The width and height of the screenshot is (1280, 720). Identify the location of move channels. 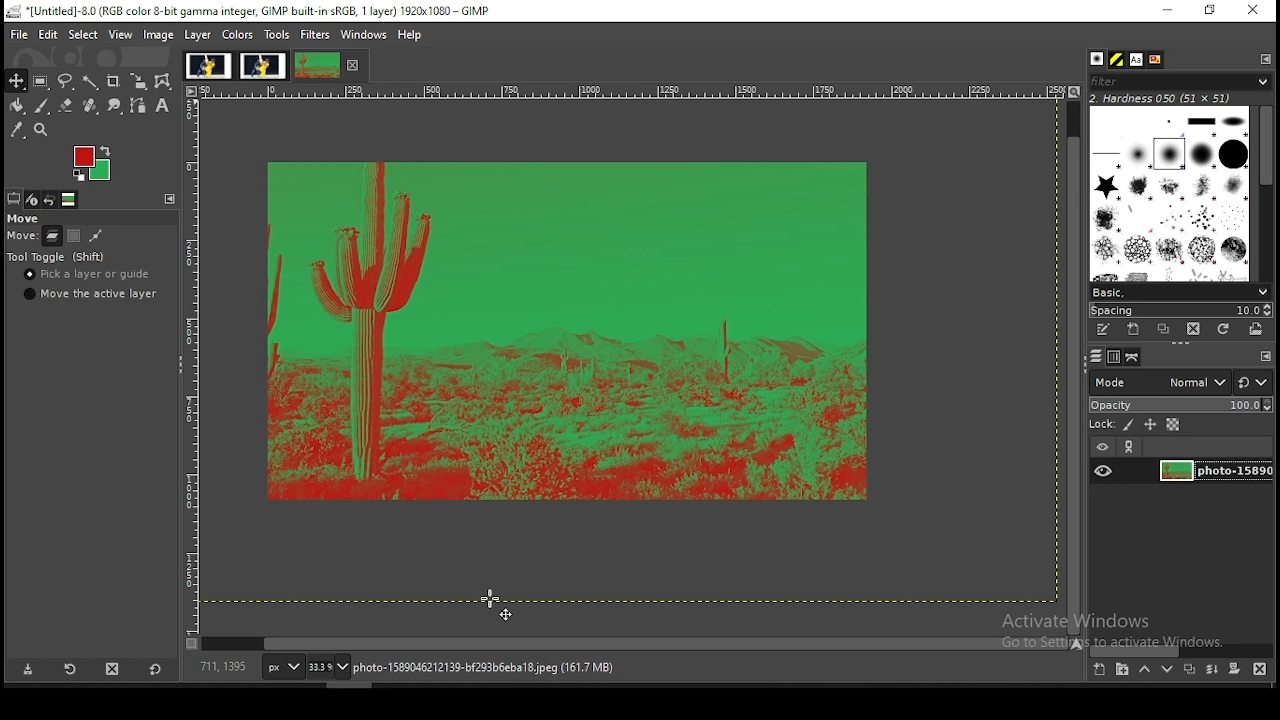
(74, 235).